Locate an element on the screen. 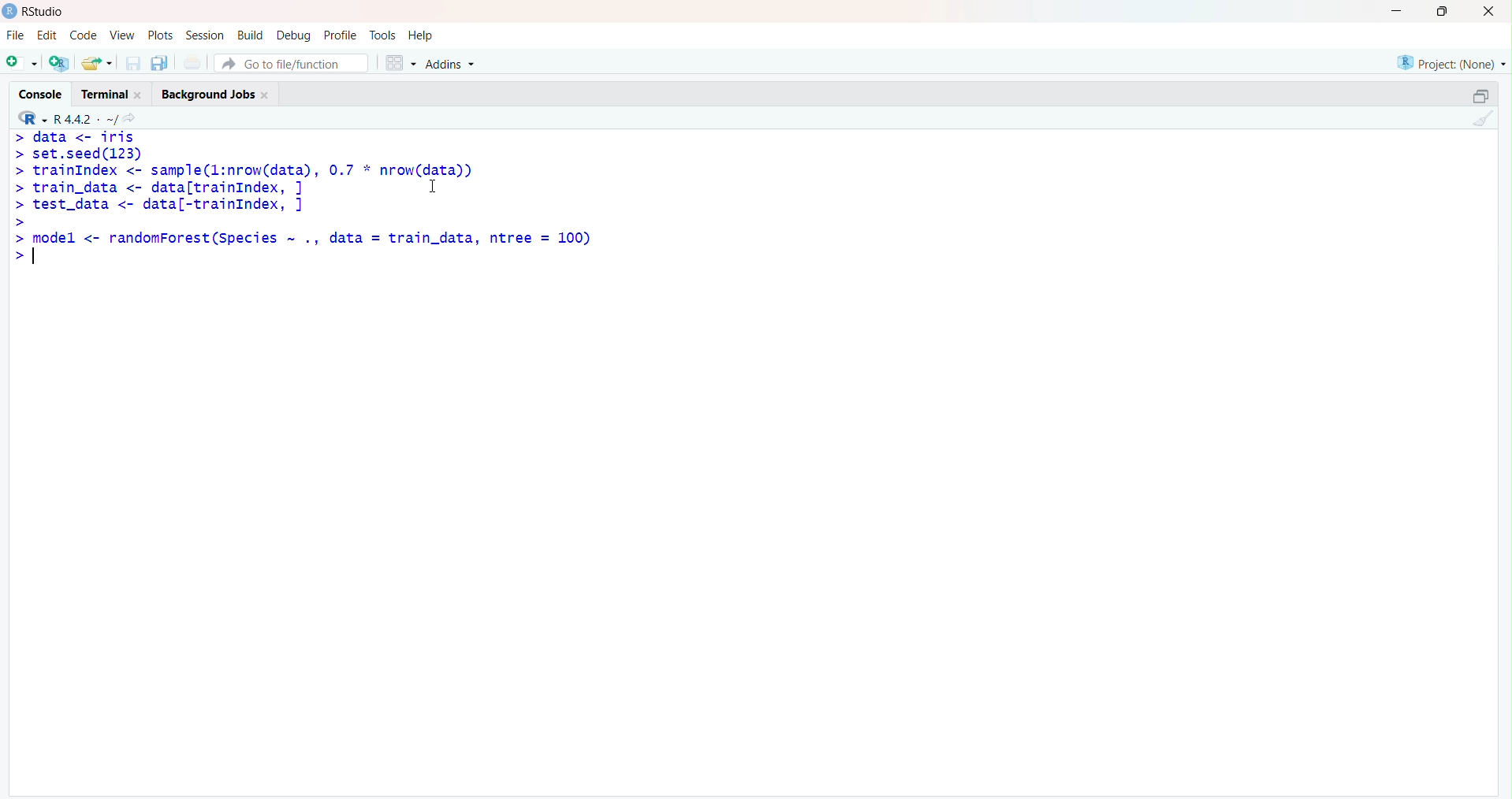 The height and width of the screenshot is (799, 1512). Prompt cursor is located at coordinates (20, 221).